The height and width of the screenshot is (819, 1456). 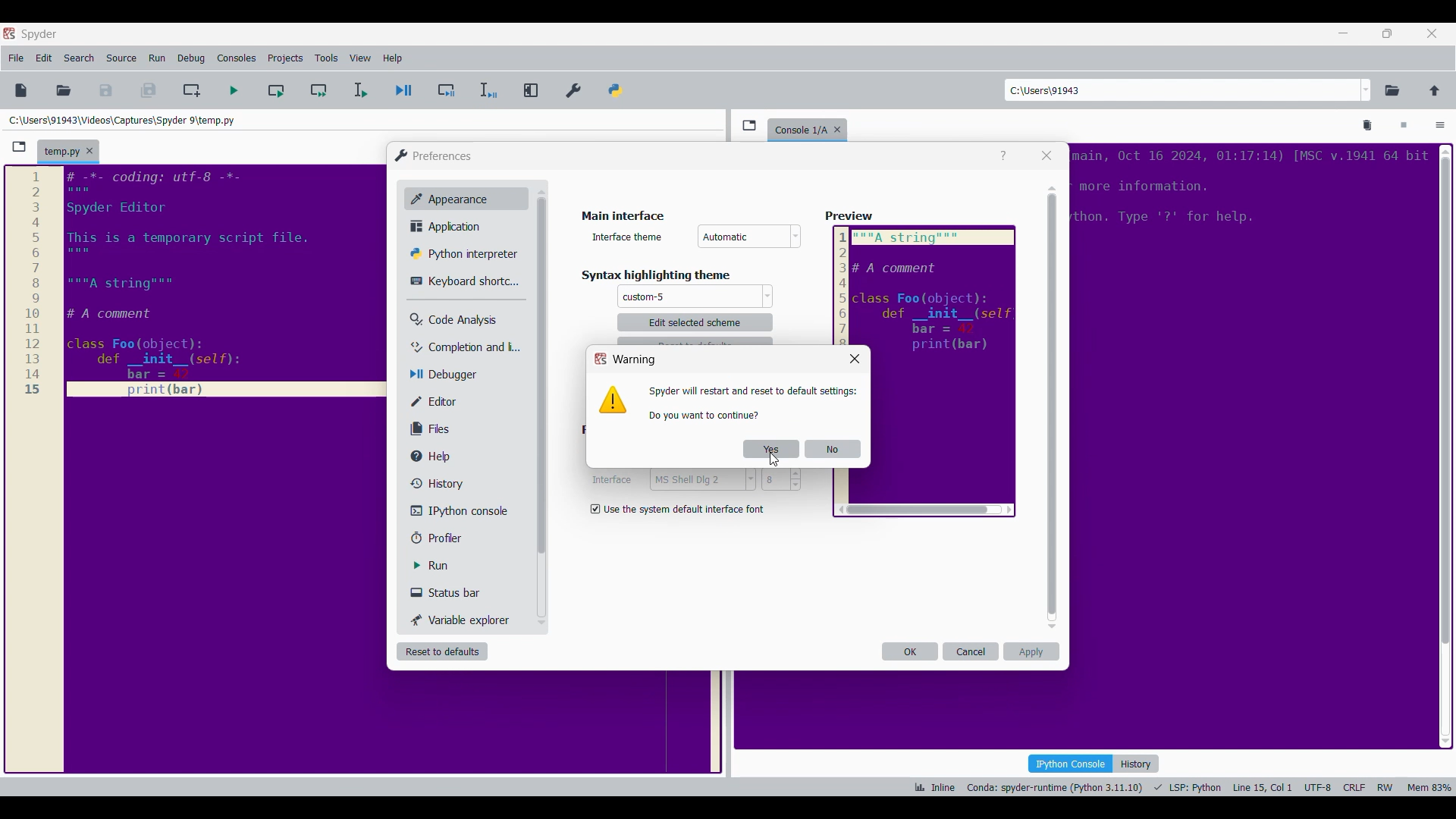 I want to click on Help, so click(x=466, y=457).